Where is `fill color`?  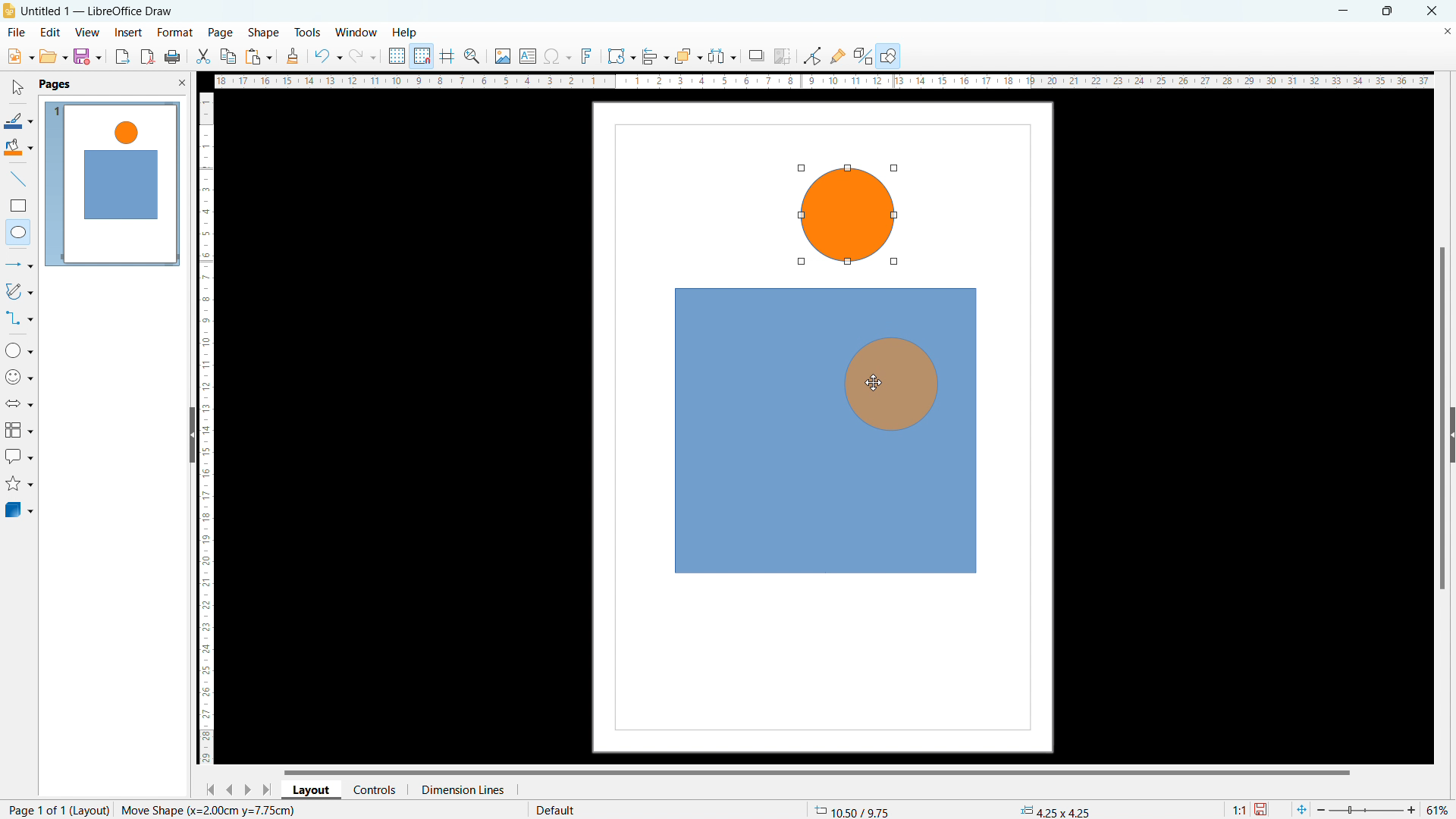
fill color is located at coordinates (19, 148).